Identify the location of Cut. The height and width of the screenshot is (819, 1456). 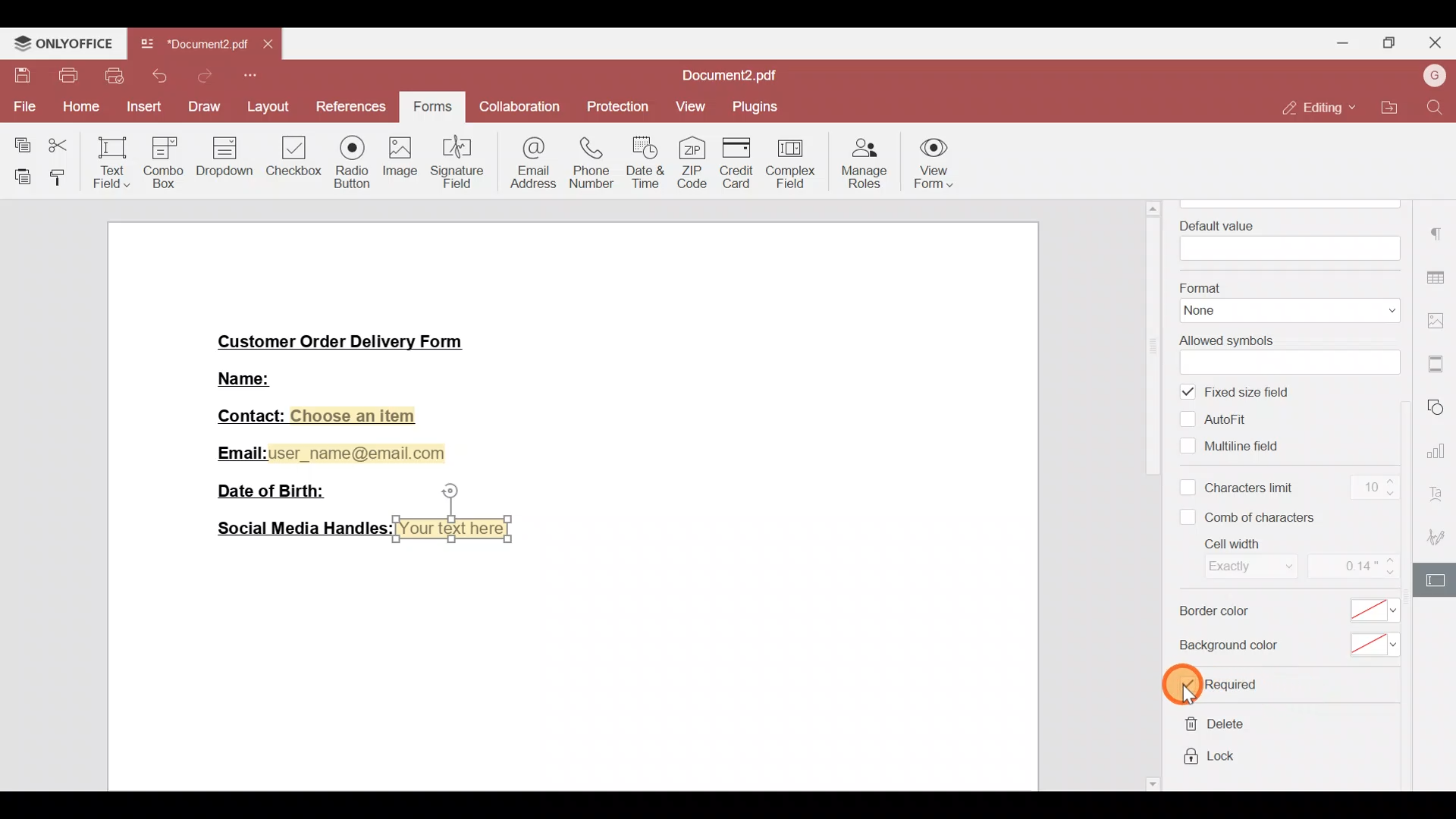
(60, 146).